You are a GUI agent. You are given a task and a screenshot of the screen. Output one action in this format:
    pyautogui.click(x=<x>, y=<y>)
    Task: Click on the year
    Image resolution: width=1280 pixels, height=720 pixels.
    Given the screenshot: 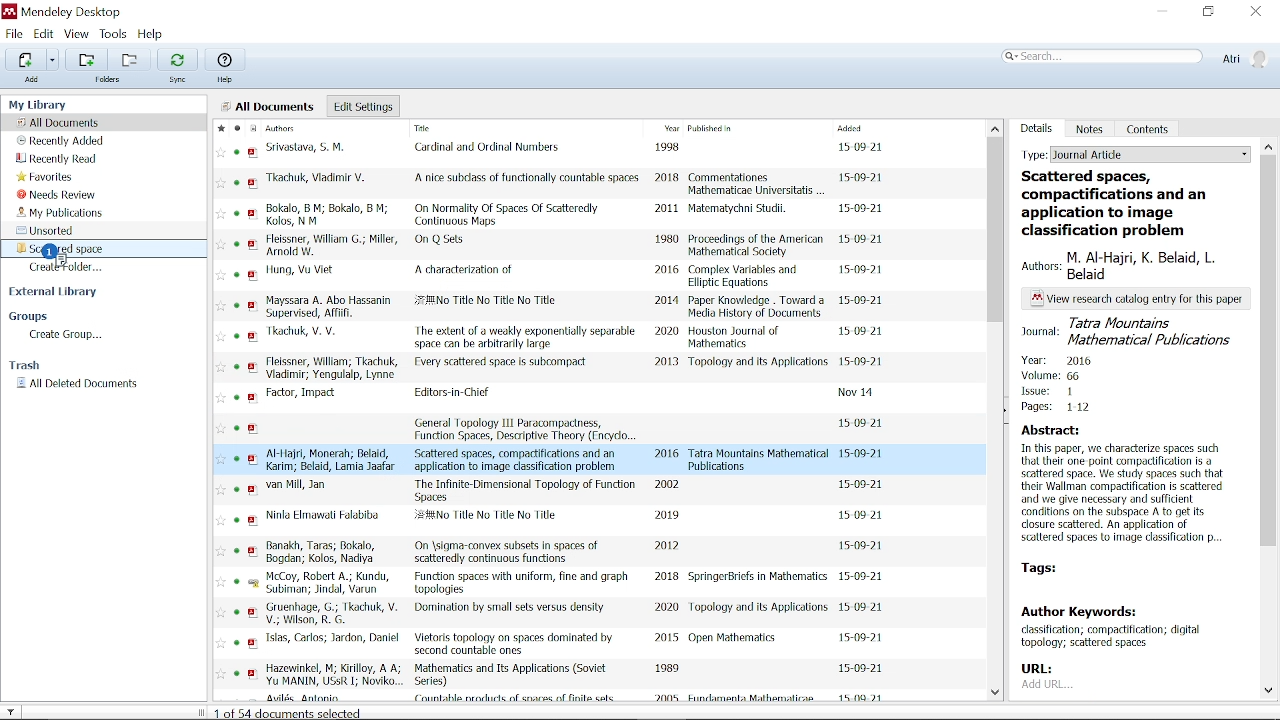 What is the action you would take?
    pyautogui.click(x=1059, y=359)
    